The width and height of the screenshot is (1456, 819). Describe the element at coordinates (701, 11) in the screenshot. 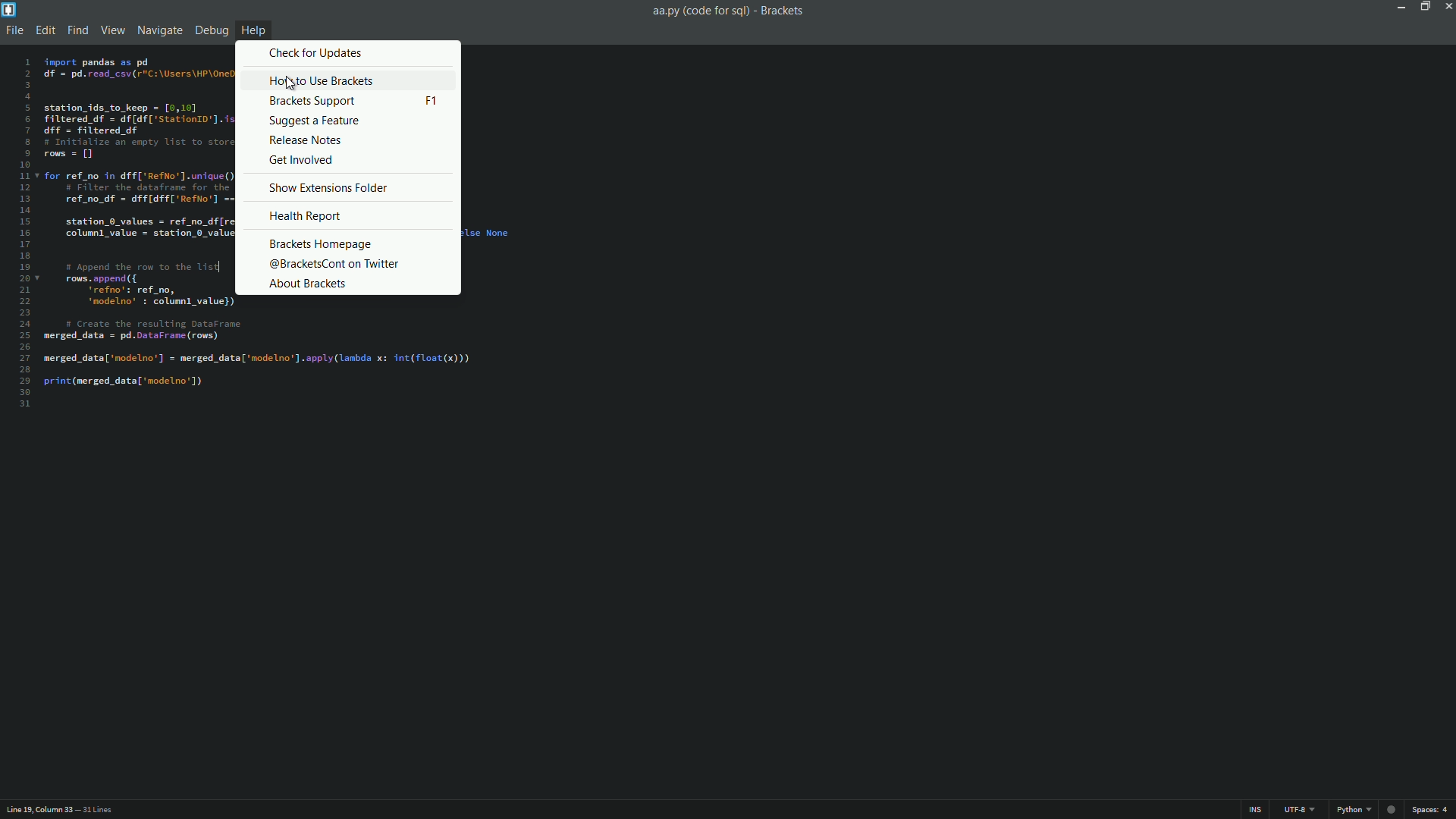

I see `file name` at that location.